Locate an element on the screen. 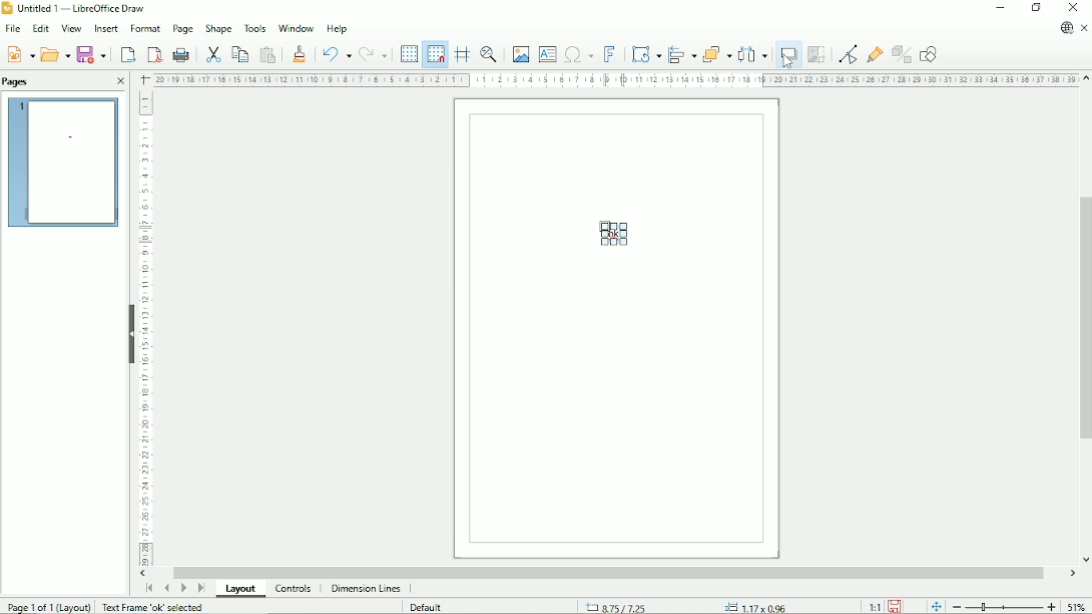 Image resolution: width=1092 pixels, height=614 pixels. Untitled 1 - LibreOffice Draw is located at coordinates (79, 8).